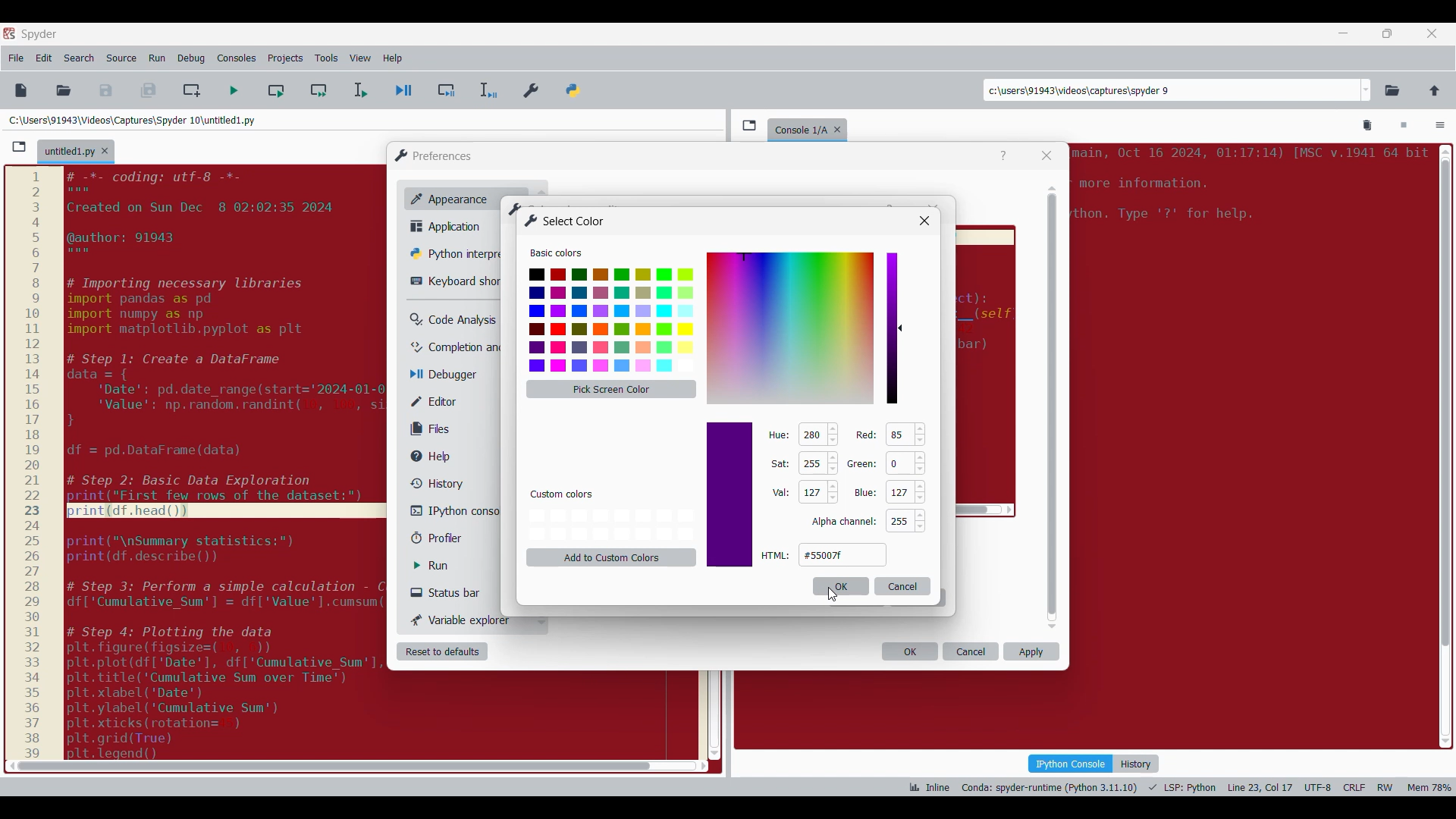  What do you see at coordinates (438, 457) in the screenshot?
I see `Help` at bounding box center [438, 457].